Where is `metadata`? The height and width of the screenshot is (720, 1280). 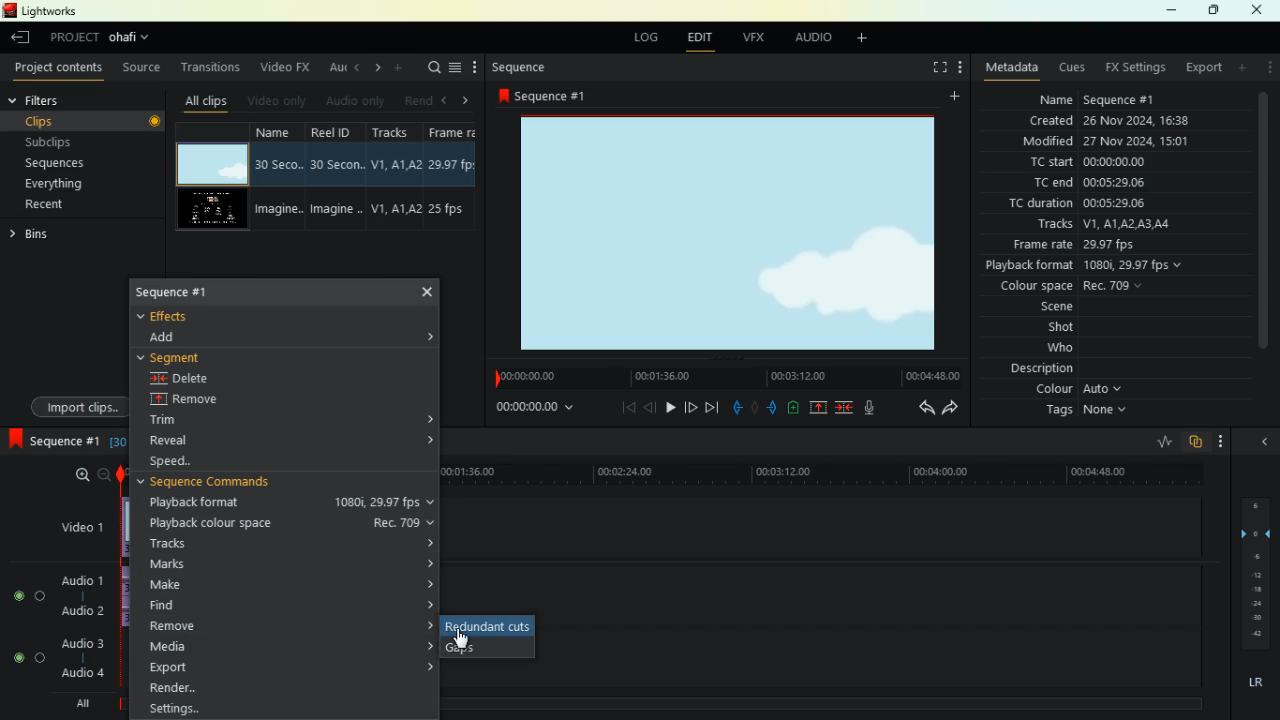 metadata is located at coordinates (1012, 68).